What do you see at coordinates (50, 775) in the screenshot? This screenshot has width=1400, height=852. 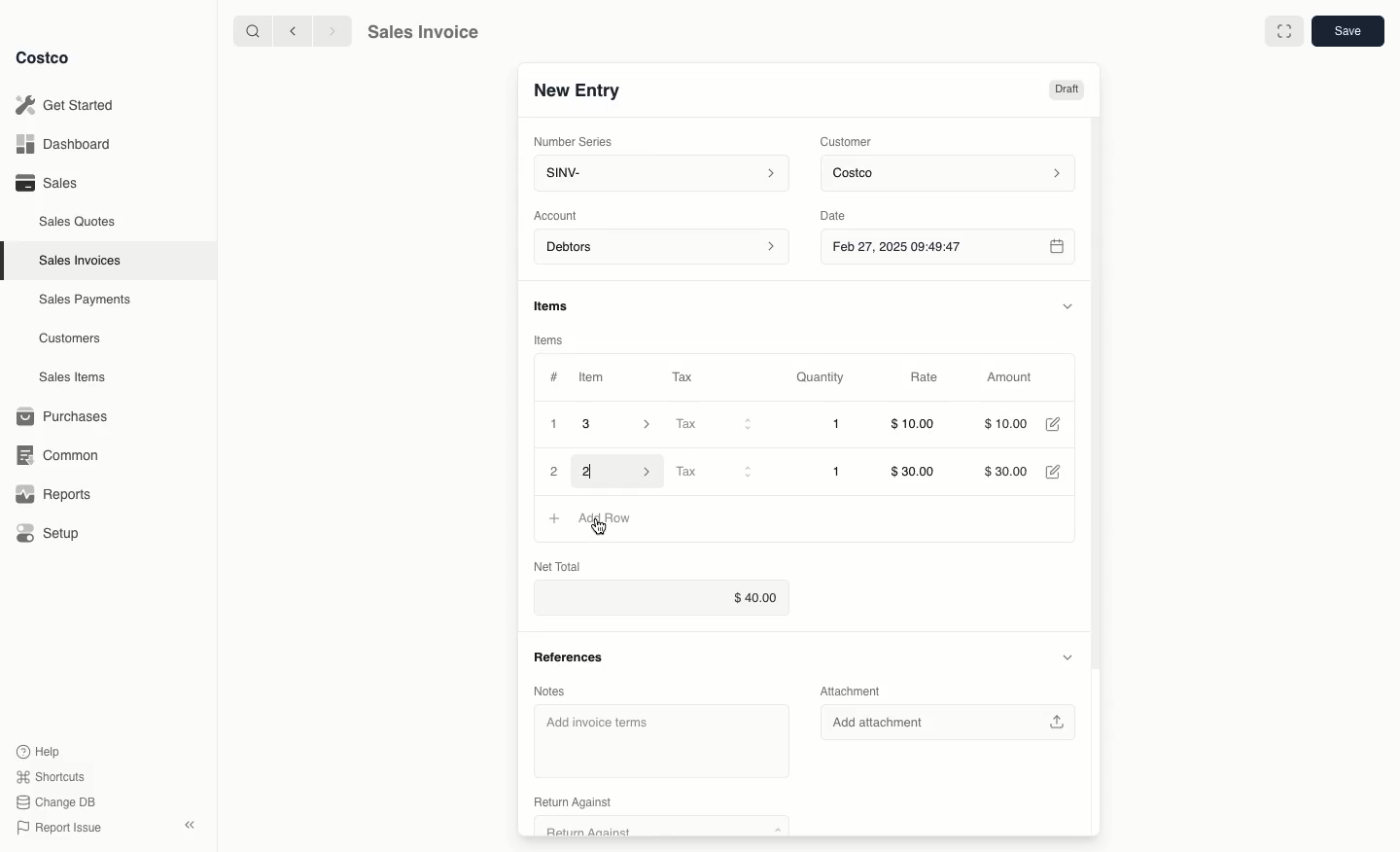 I see `Shortcuts` at bounding box center [50, 775].